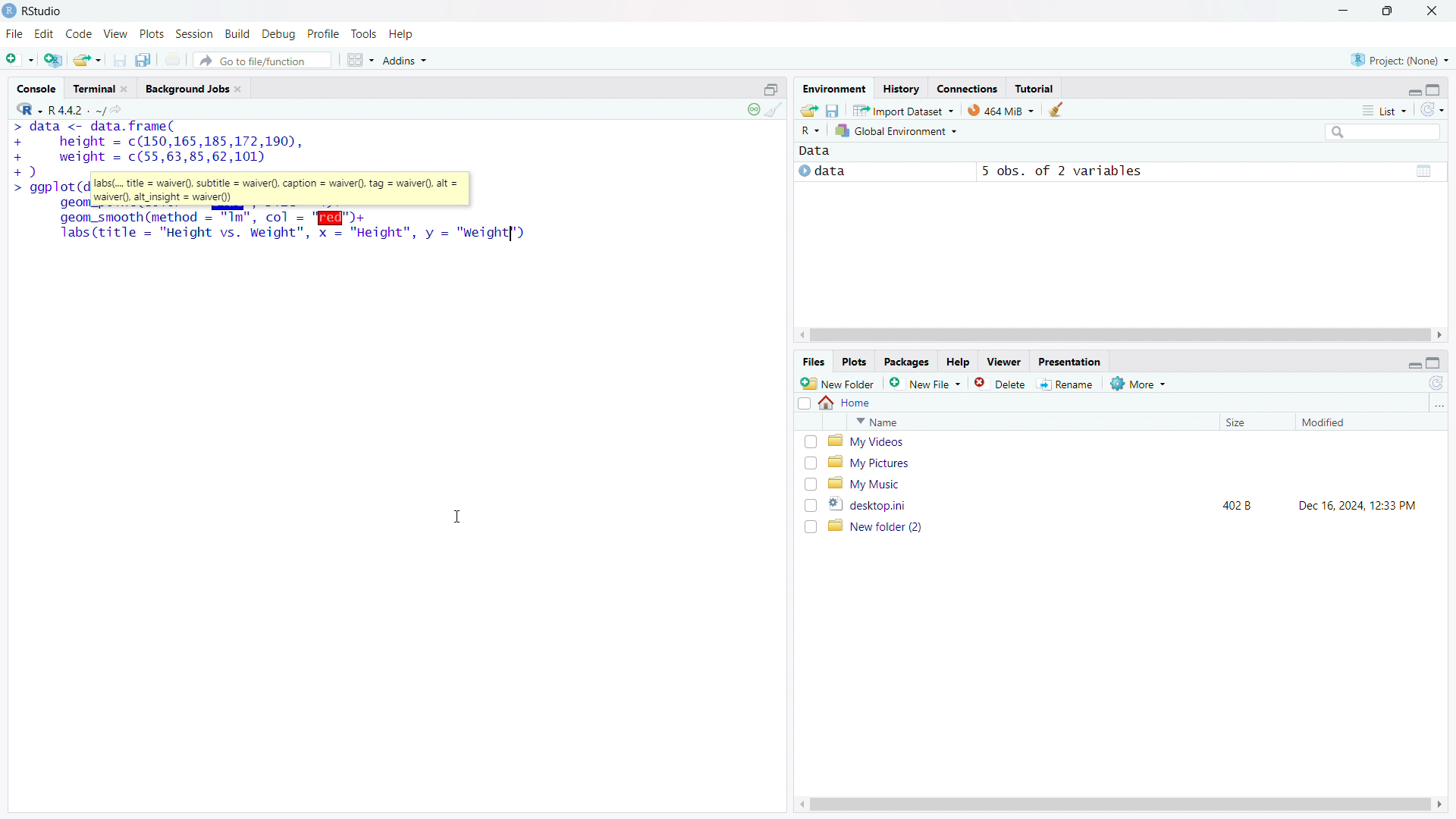 The height and width of the screenshot is (819, 1456). Describe the element at coordinates (926, 383) in the screenshot. I see `add new file` at that location.